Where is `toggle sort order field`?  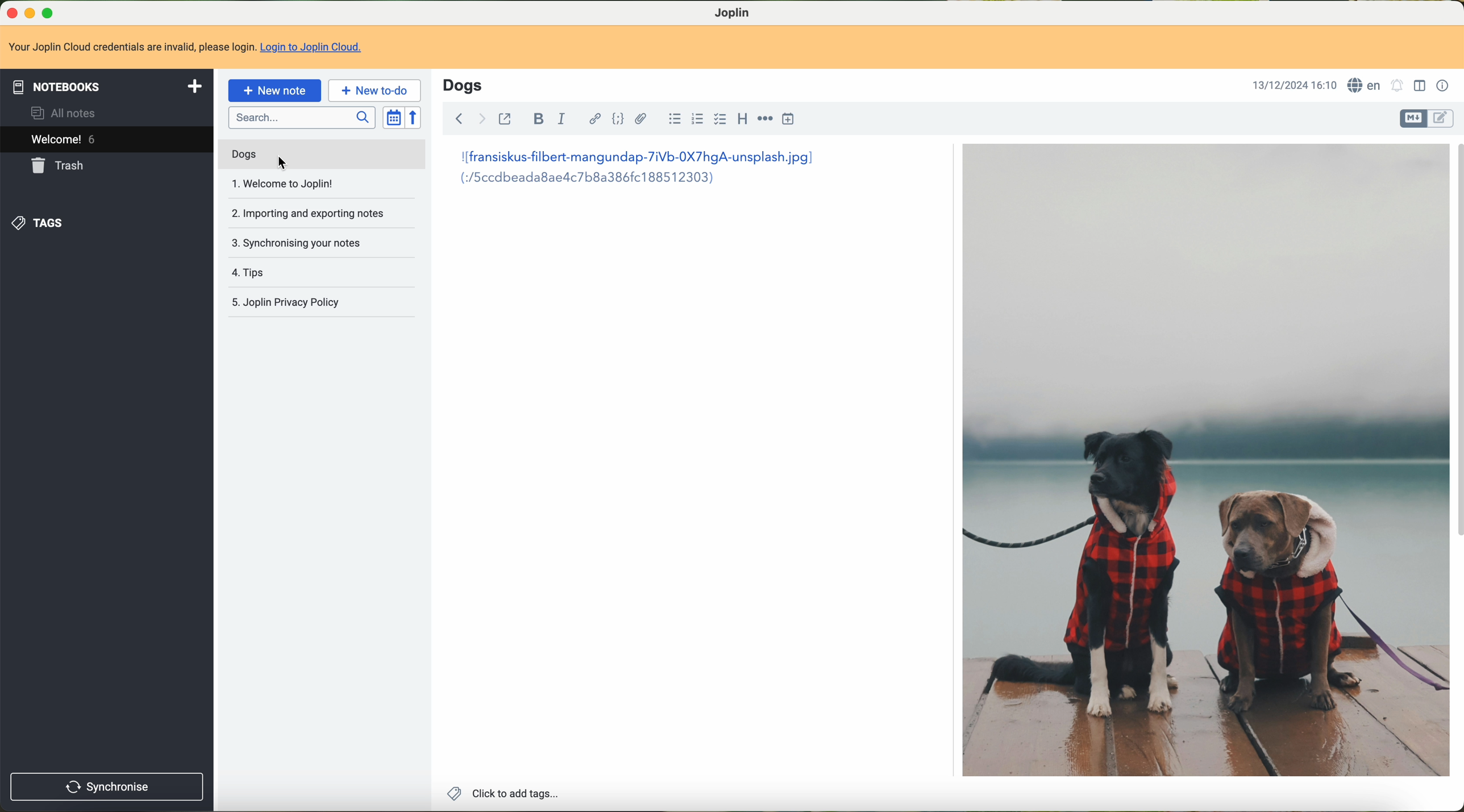 toggle sort order field is located at coordinates (393, 118).